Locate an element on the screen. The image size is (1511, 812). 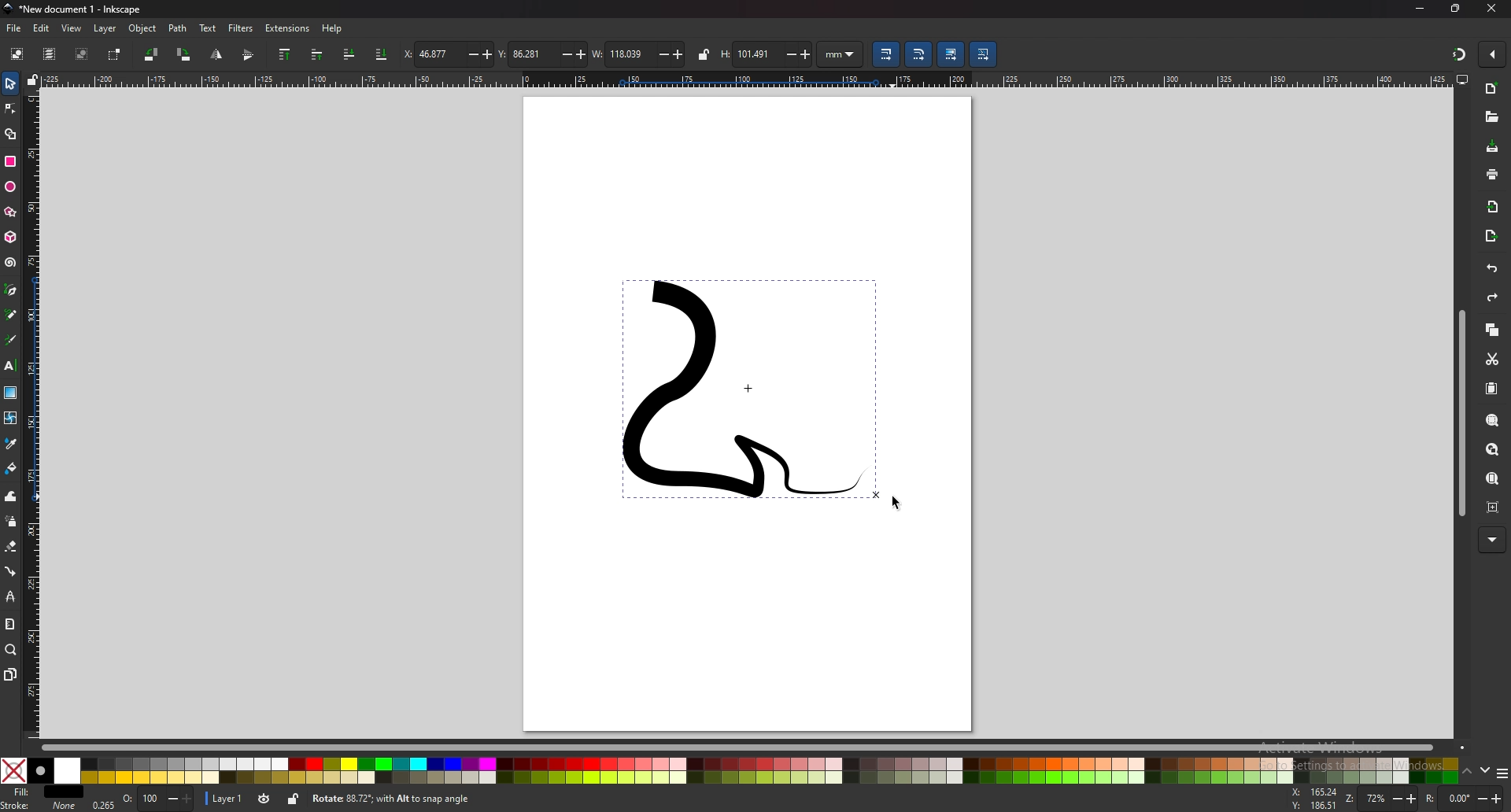
CLOSE is located at coordinates (1489, 9).